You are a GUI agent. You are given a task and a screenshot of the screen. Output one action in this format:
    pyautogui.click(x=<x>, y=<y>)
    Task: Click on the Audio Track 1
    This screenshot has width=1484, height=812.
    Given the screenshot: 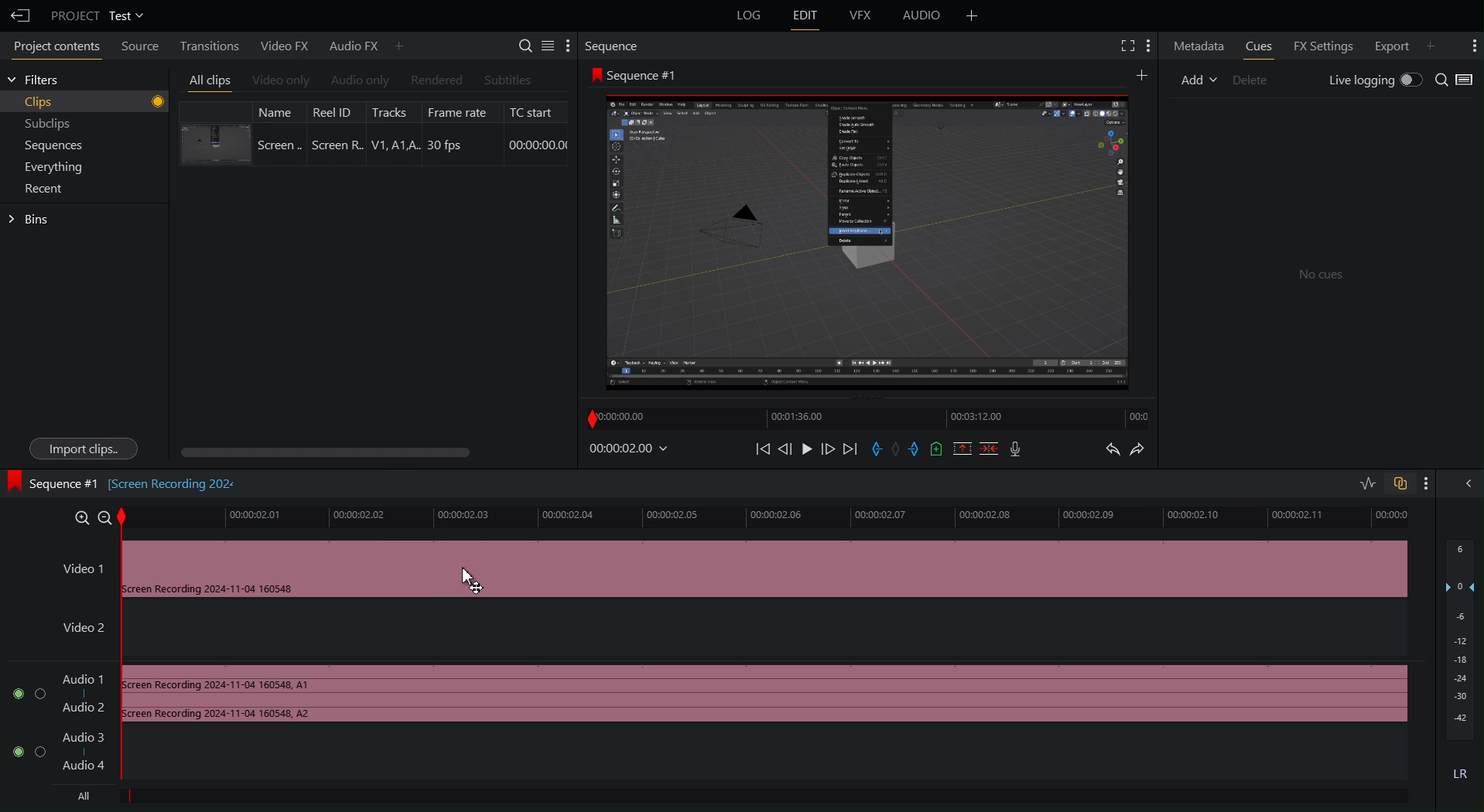 What is the action you would take?
    pyautogui.click(x=703, y=695)
    